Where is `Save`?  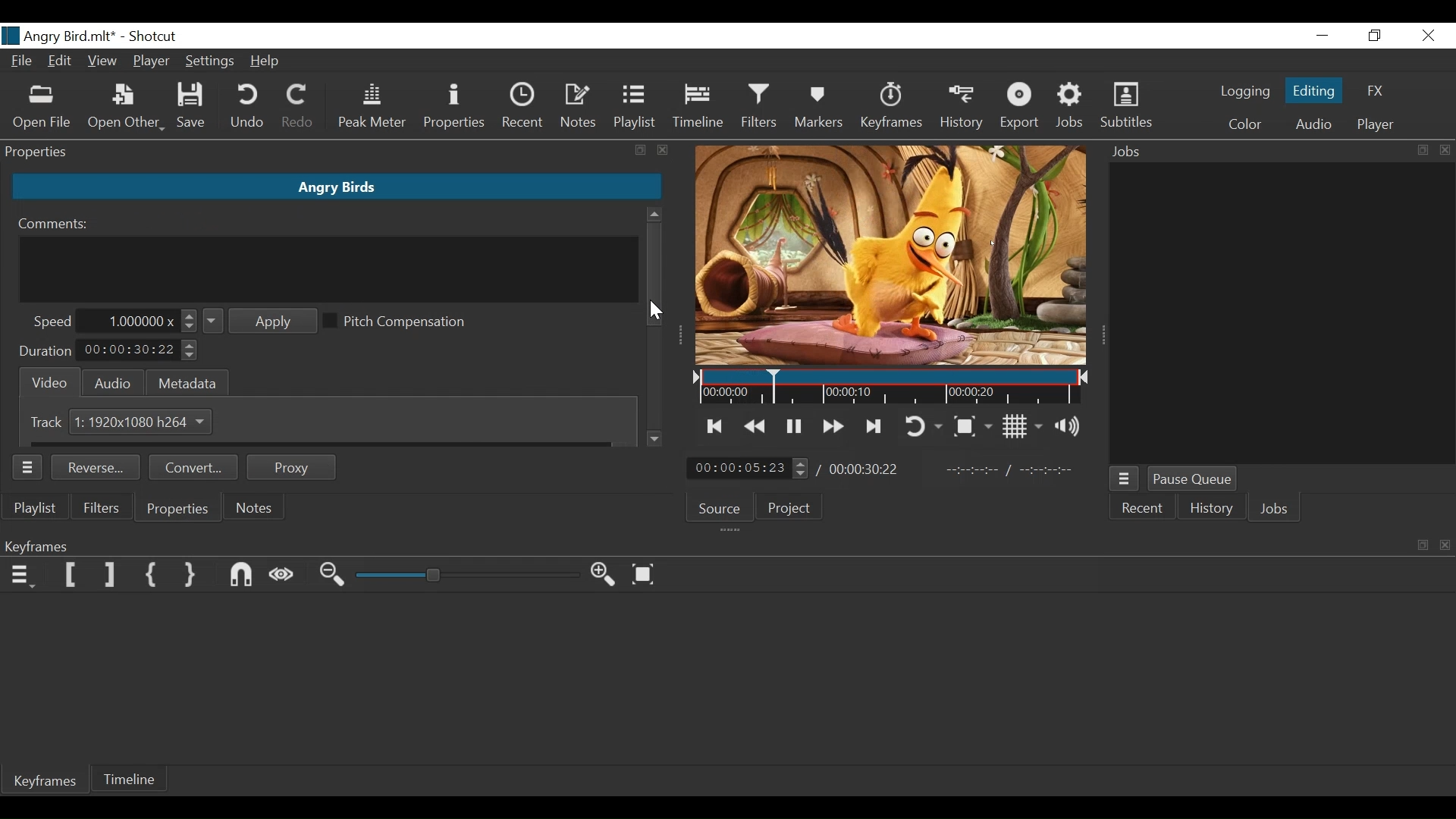
Save is located at coordinates (192, 106).